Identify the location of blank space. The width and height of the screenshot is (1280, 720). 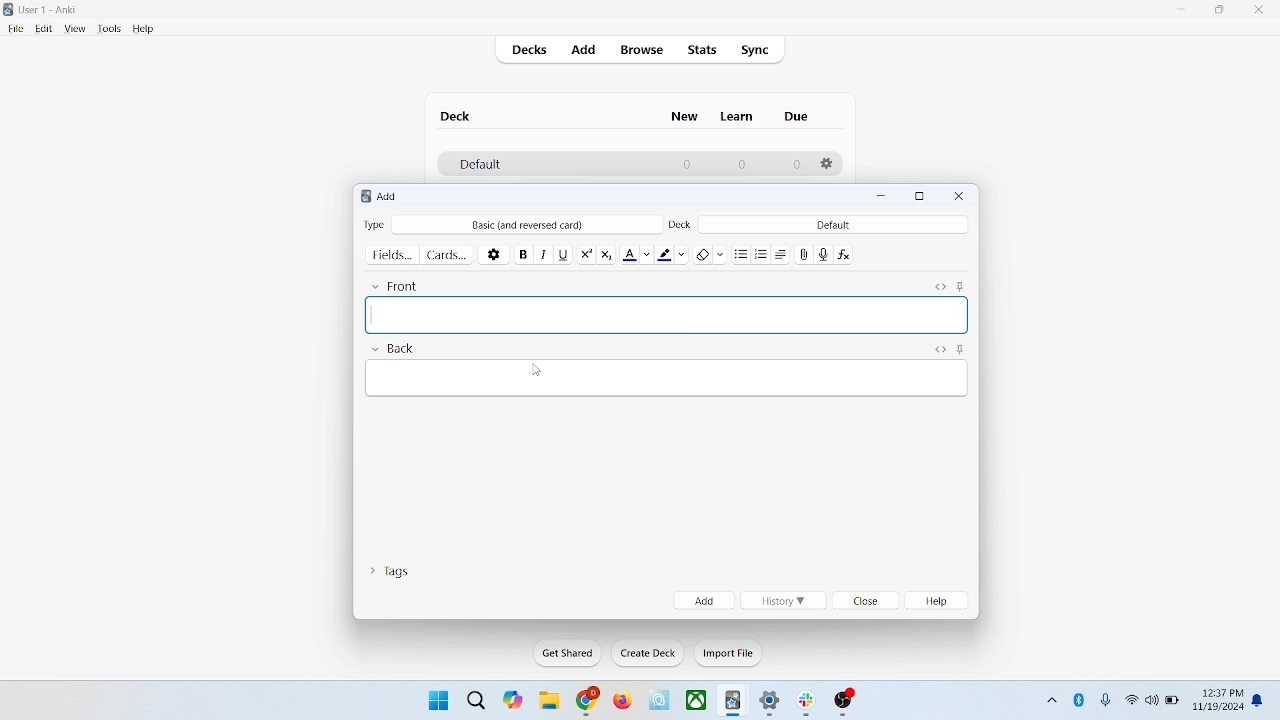
(665, 315).